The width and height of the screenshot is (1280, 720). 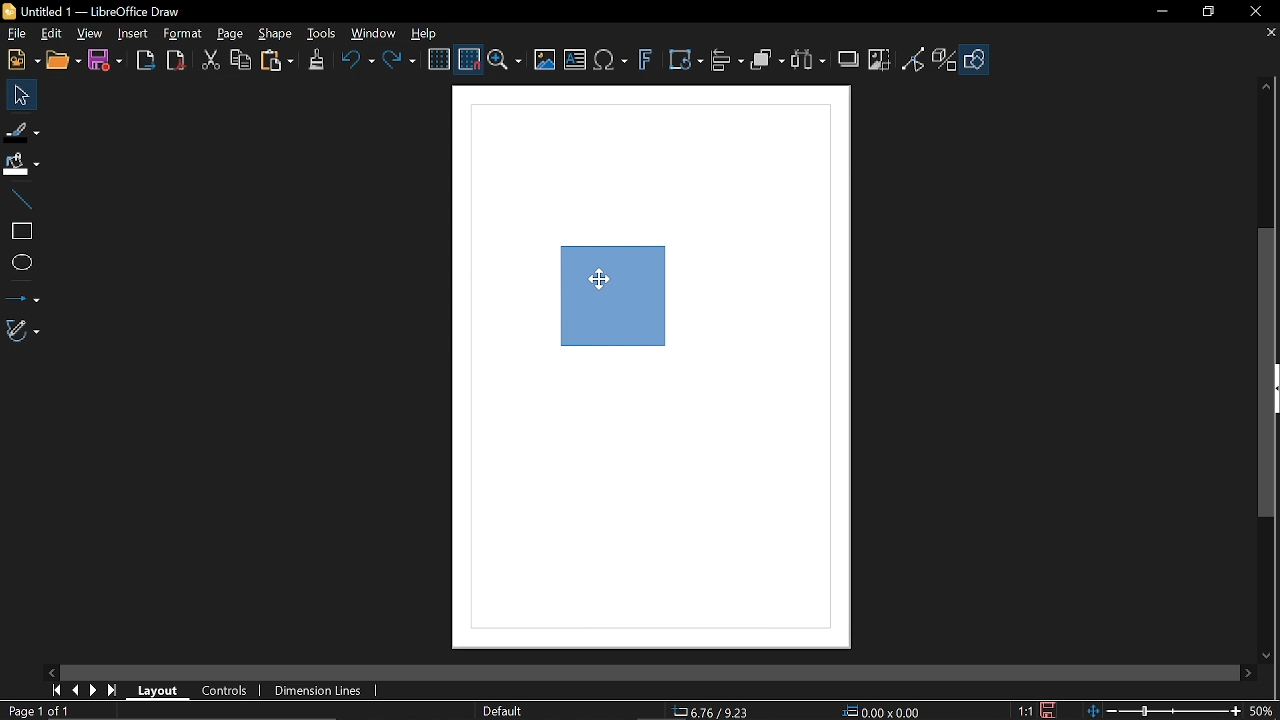 What do you see at coordinates (914, 59) in the screenshot?
I see `Toggle ` at bounding box center [914, 59].